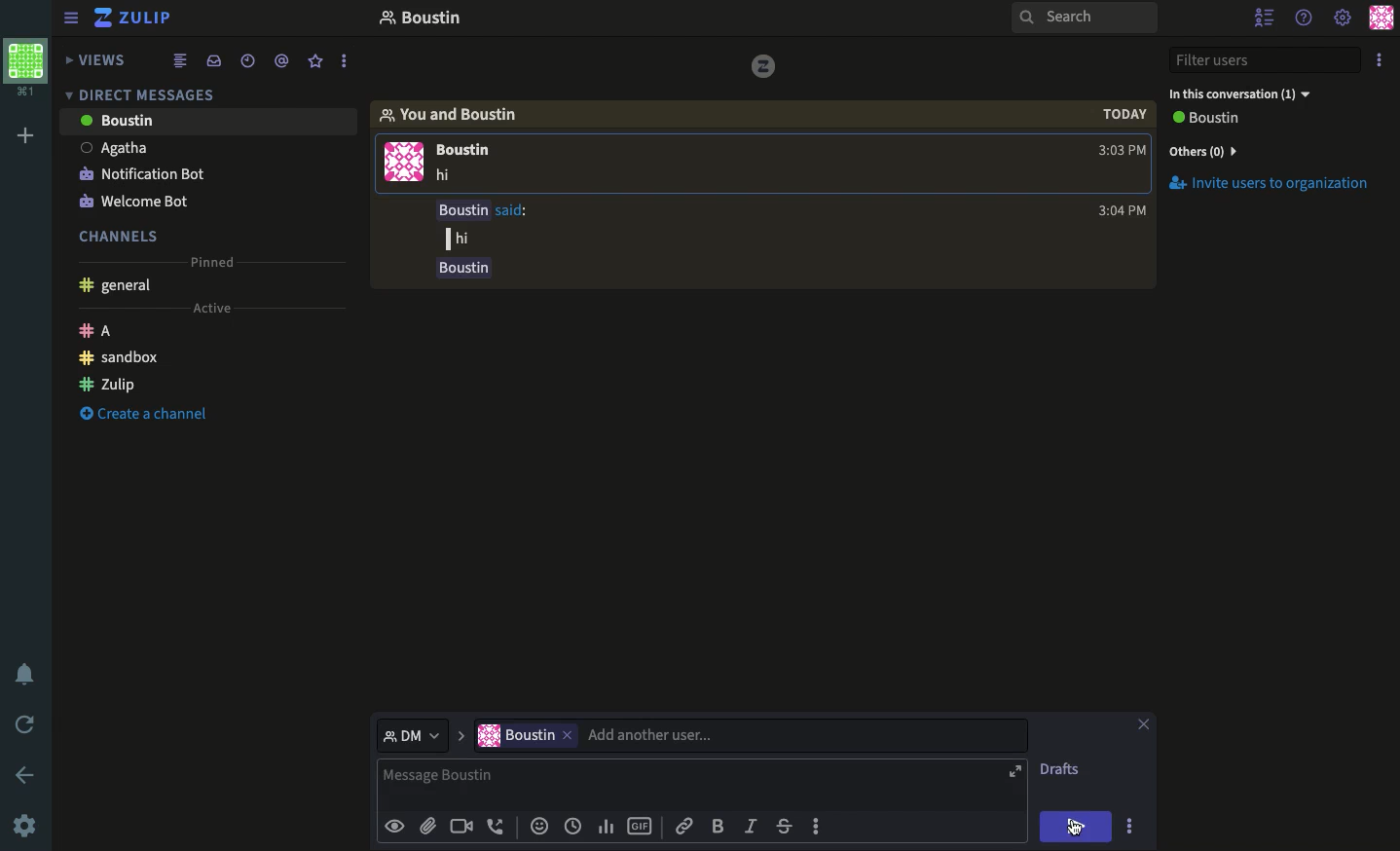 Image resolution: width=1400 pixels, height=851 pixels. What do you see at coordinates (461, 827) in the screenshot?
I see `Video` at bounding box center [461, 827].